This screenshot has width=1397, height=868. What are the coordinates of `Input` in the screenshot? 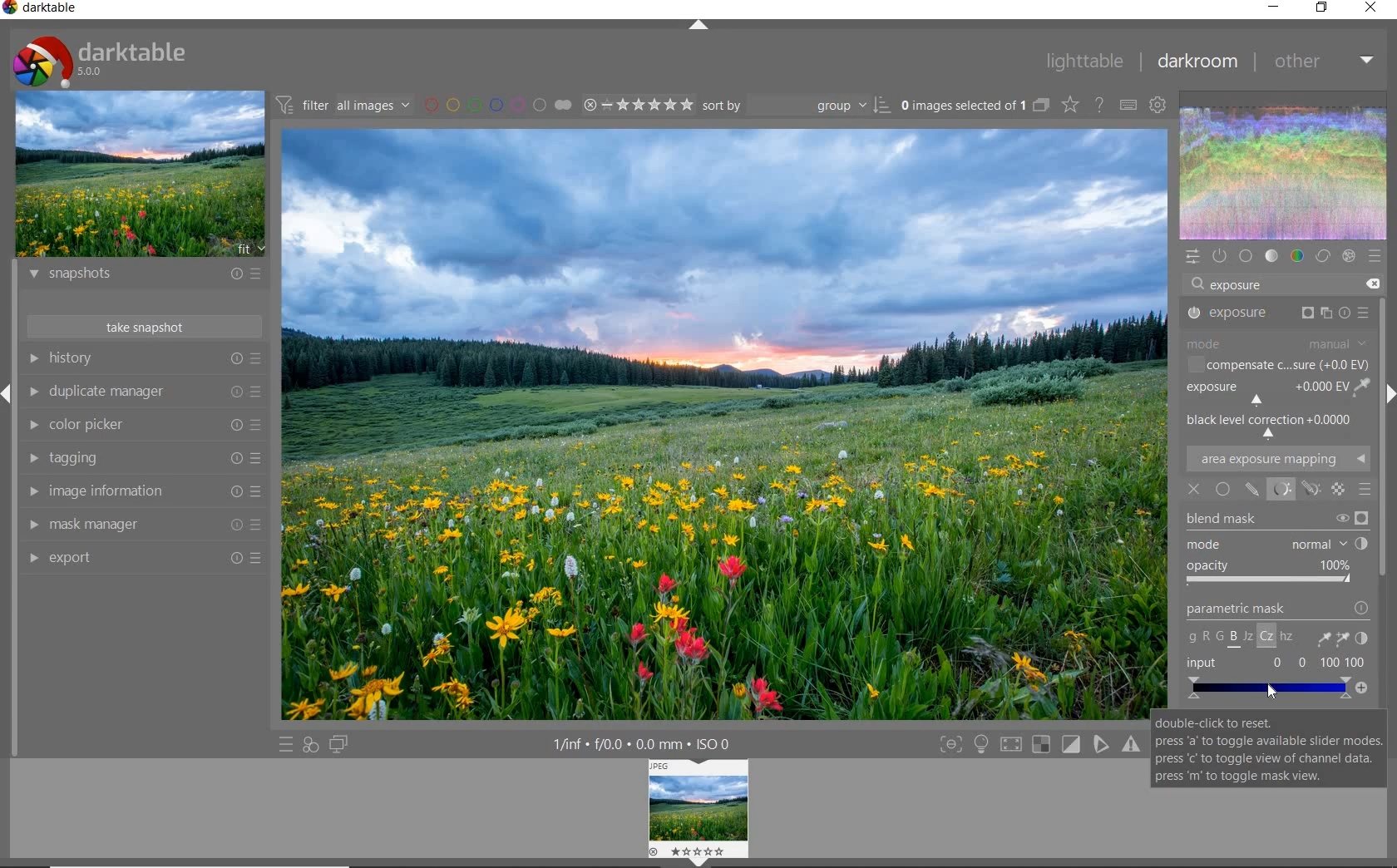 It's located at (1277, 680).